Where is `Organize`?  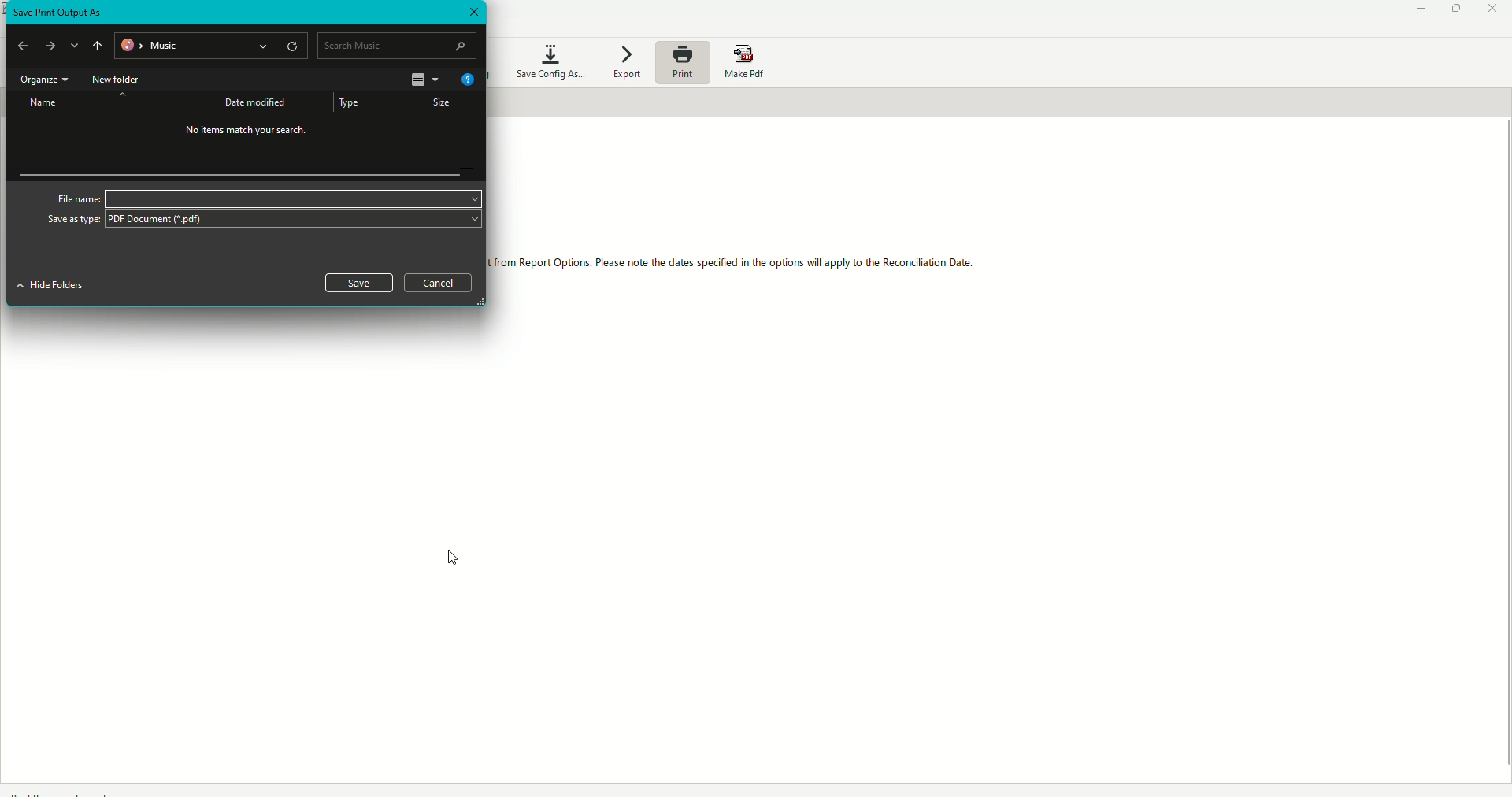
Organize is located at coordinates (42, 80).